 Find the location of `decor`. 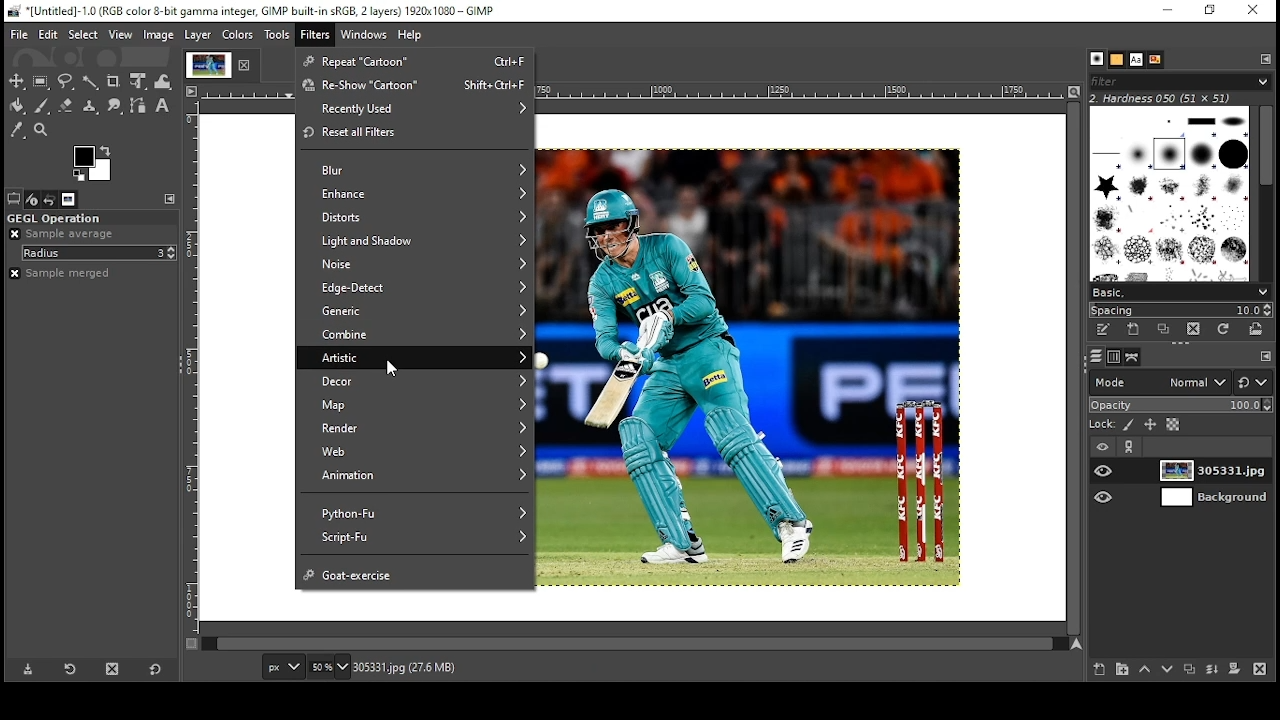

decor is located at coordinates (414, 381).